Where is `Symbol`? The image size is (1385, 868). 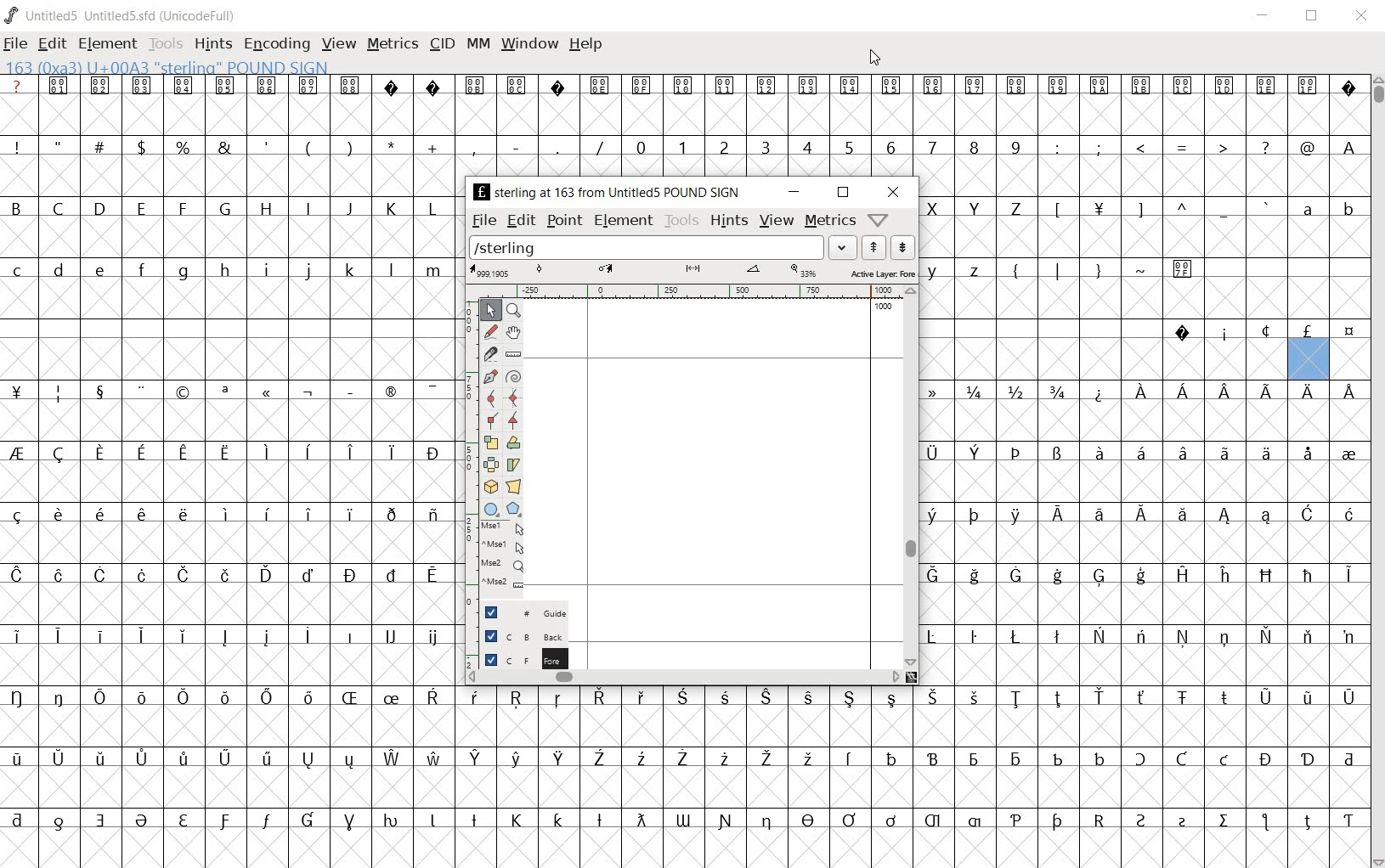
Symbol is located at coordinates (1347, 332).